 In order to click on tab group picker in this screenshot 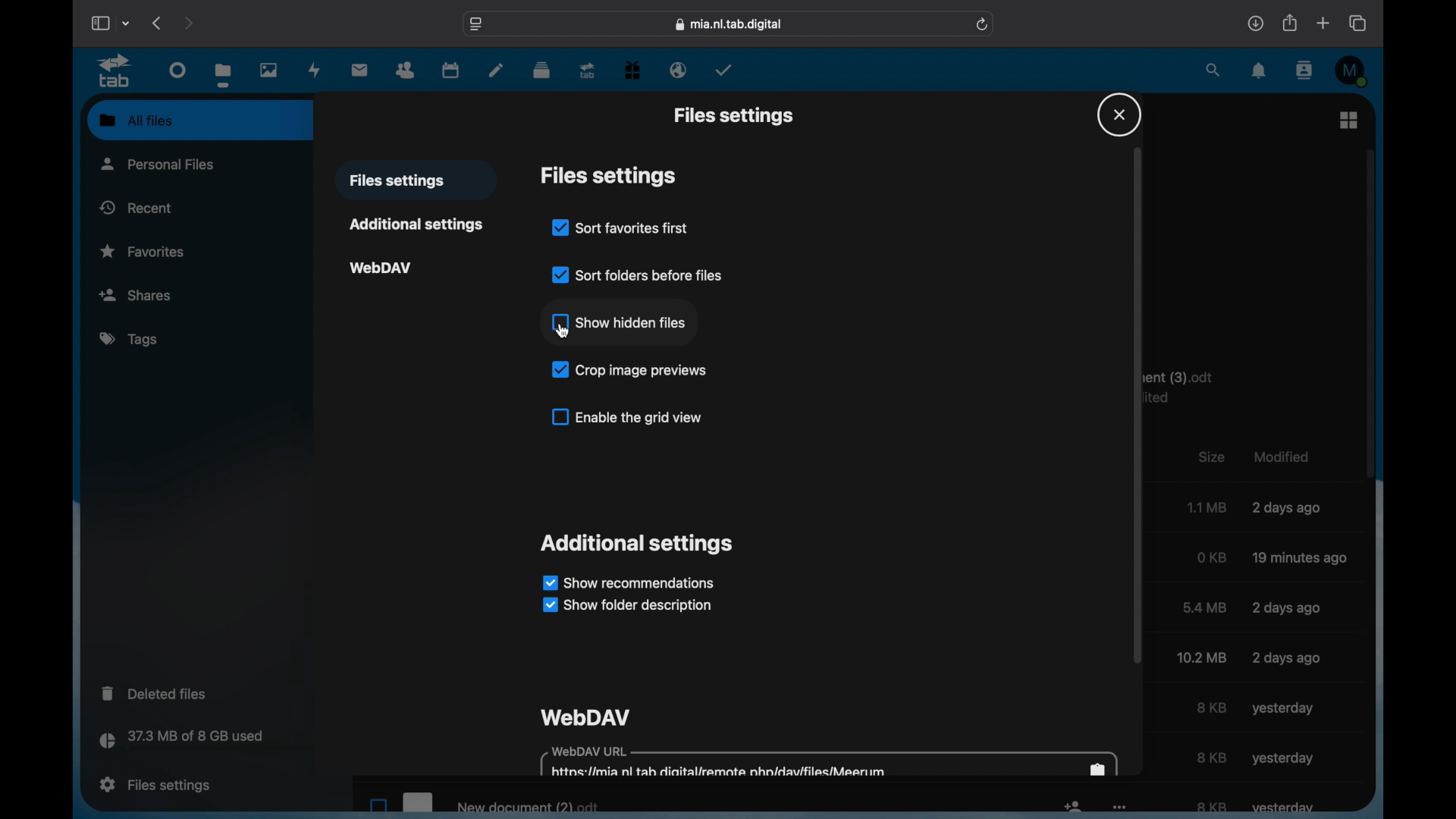, I will do `click(127, 24)`.